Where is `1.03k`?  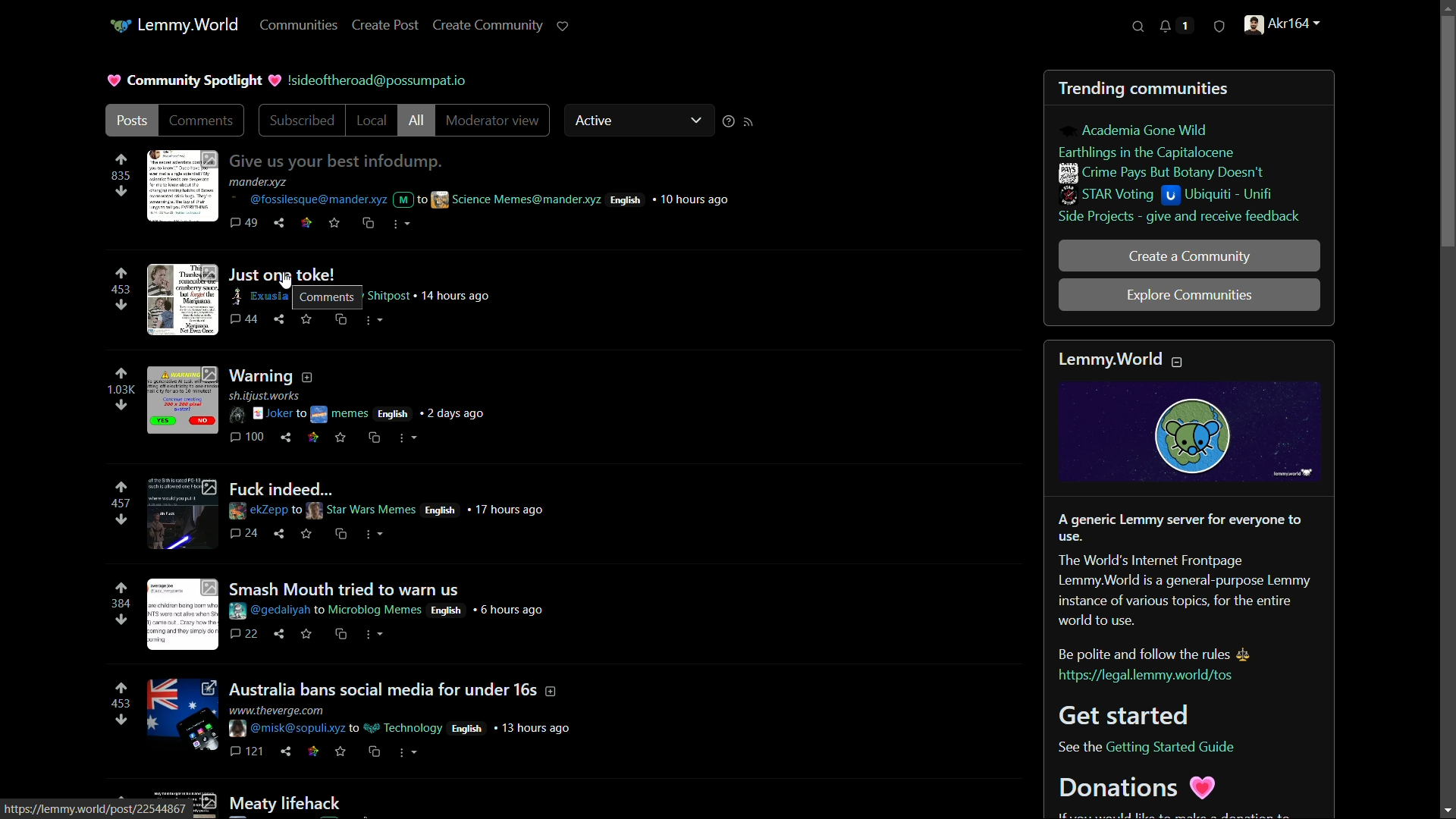
1.03k is located at coordinates (120, 391).